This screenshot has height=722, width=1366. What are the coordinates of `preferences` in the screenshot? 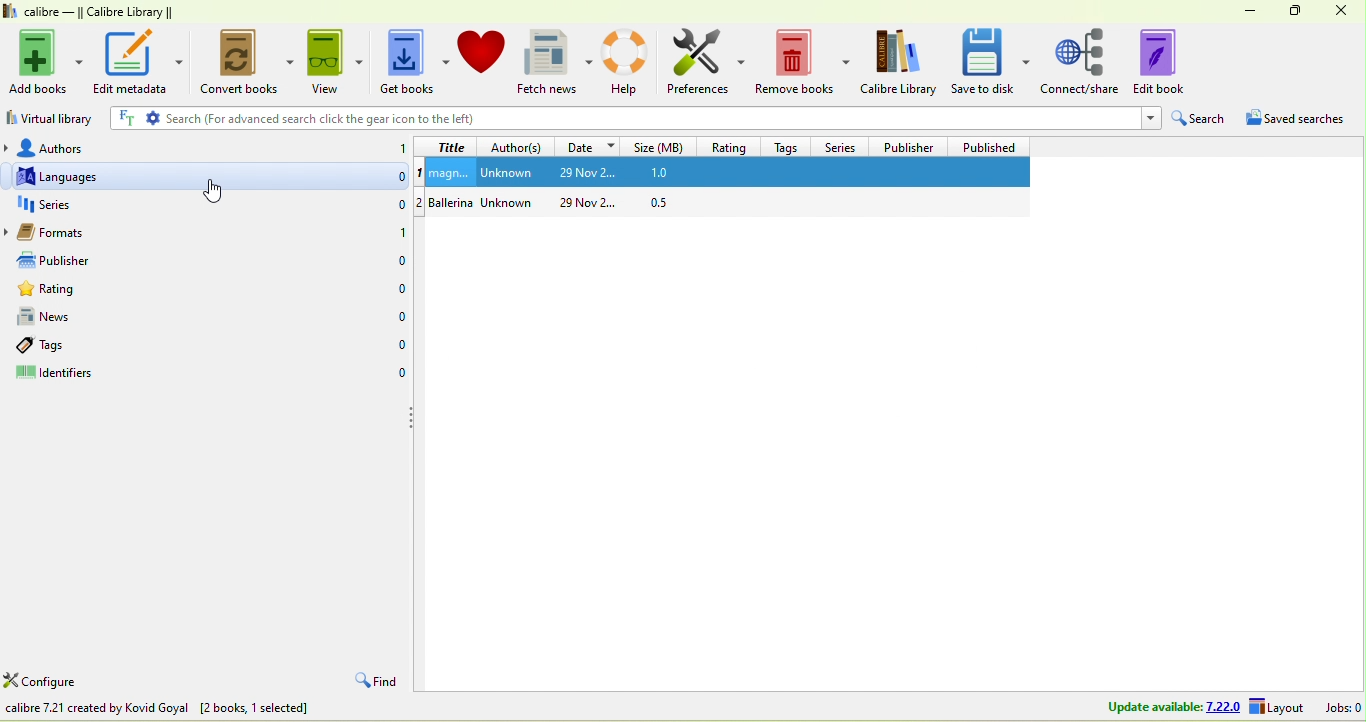 It's located at (708, 64).